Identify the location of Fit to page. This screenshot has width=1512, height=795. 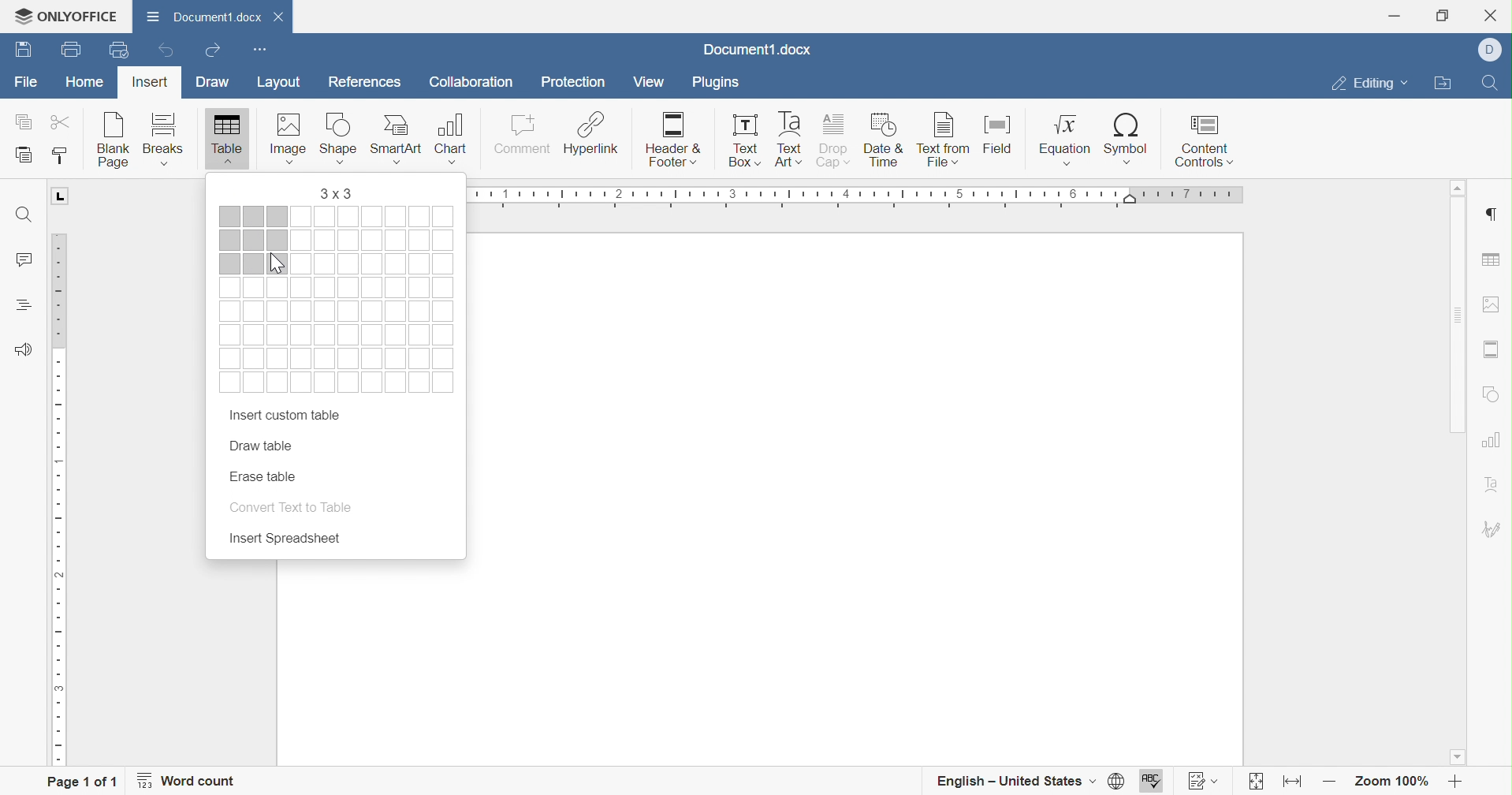
(1256, 780).